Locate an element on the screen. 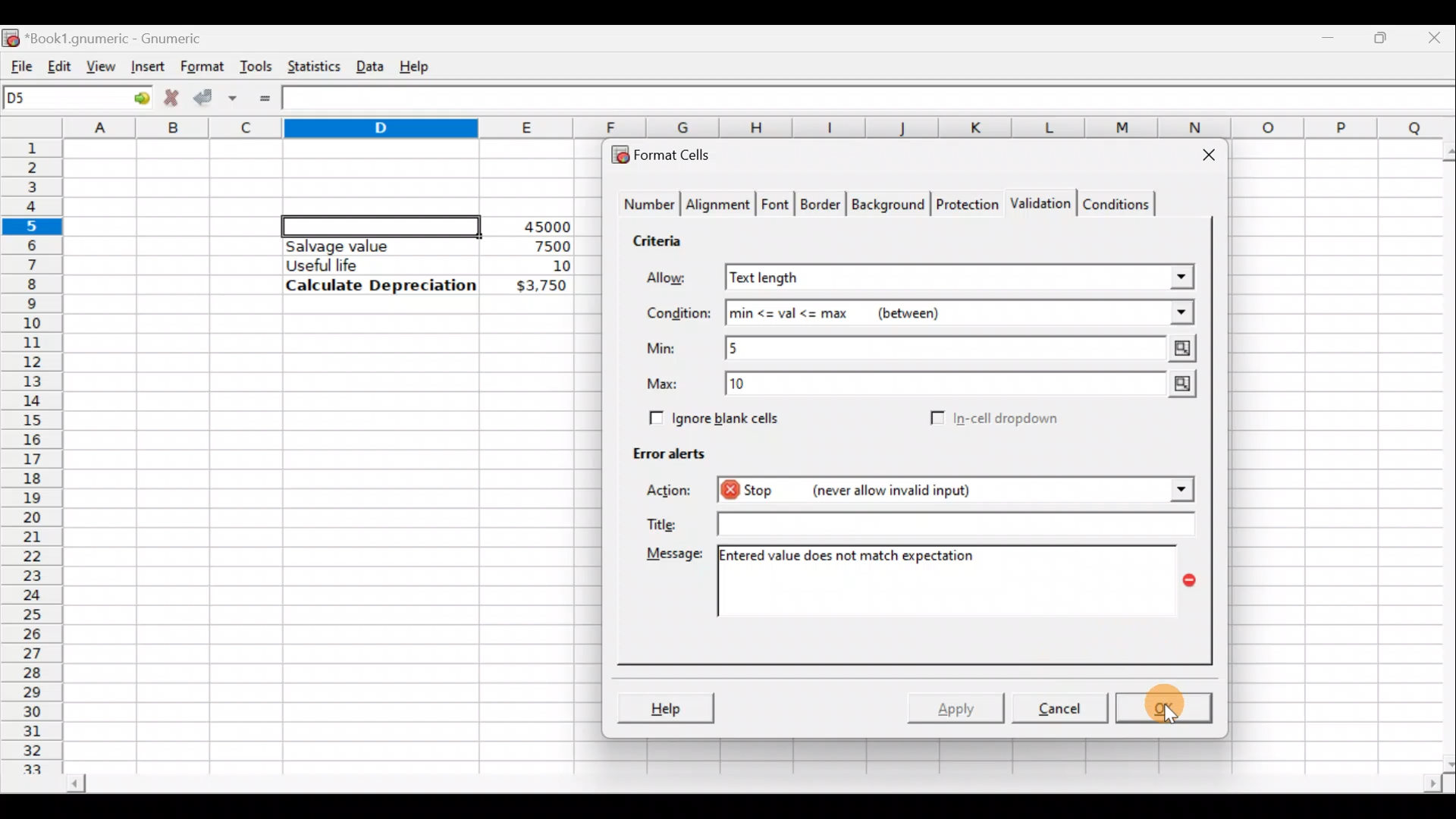 The width and height of the screenshot is (1456, 819). Tools is located at coordinates (256, 65).